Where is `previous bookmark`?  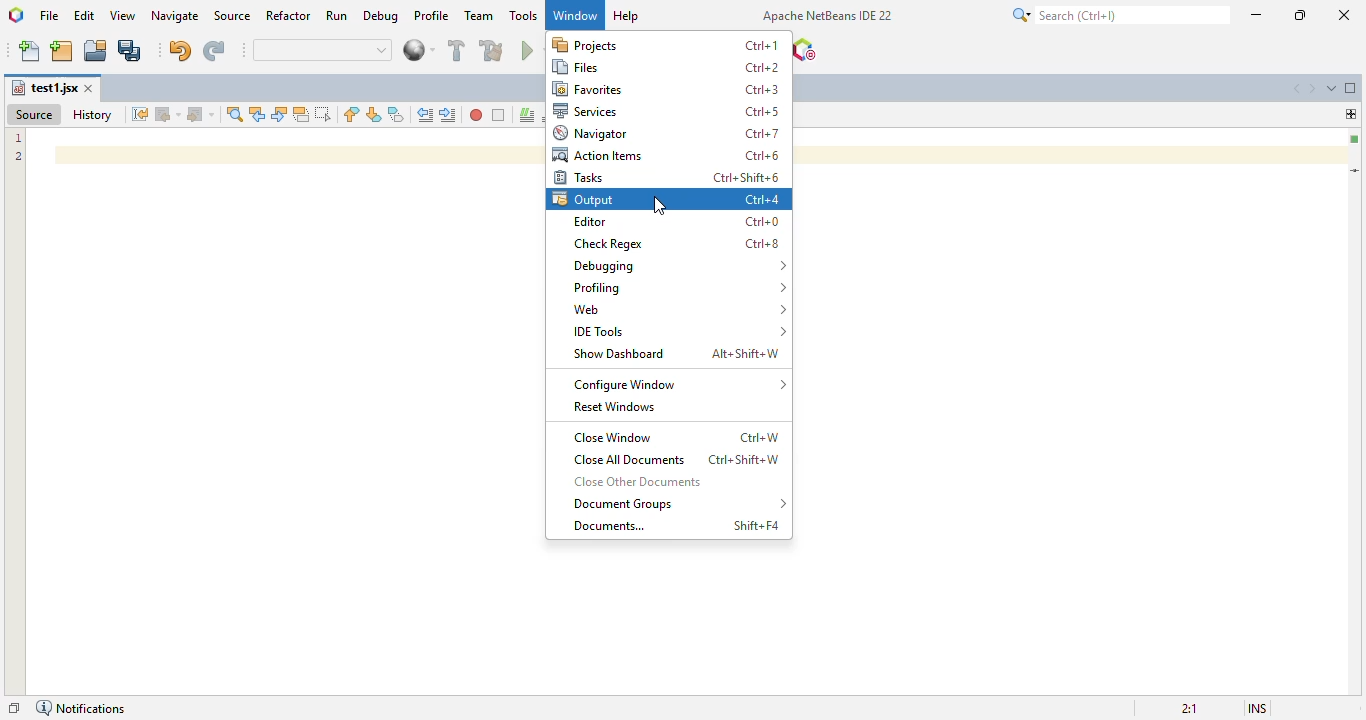
previous bookmark is located at coordinates (352, 114).